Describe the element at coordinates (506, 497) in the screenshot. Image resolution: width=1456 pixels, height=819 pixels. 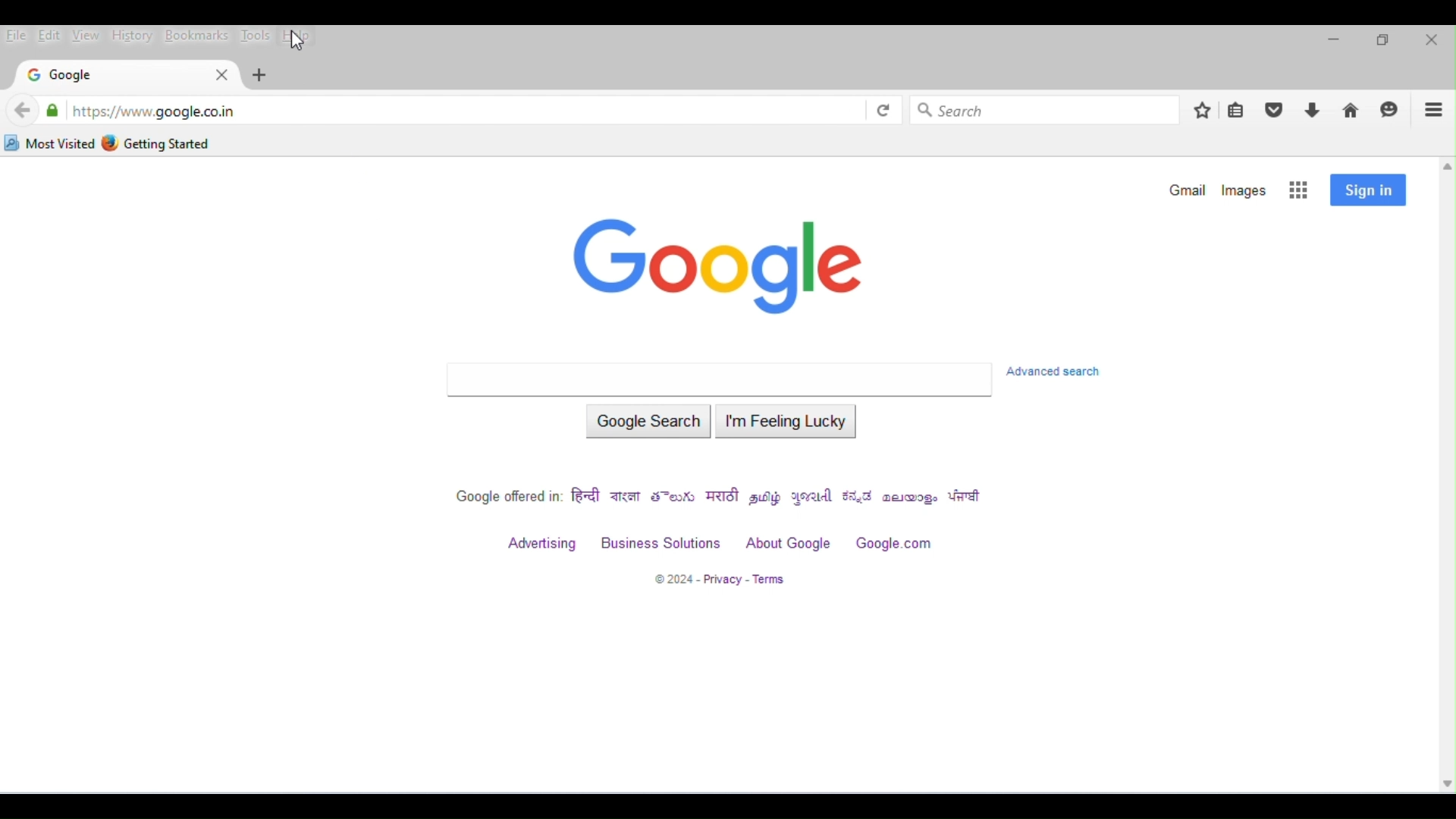
I see `google offered in` at that location.